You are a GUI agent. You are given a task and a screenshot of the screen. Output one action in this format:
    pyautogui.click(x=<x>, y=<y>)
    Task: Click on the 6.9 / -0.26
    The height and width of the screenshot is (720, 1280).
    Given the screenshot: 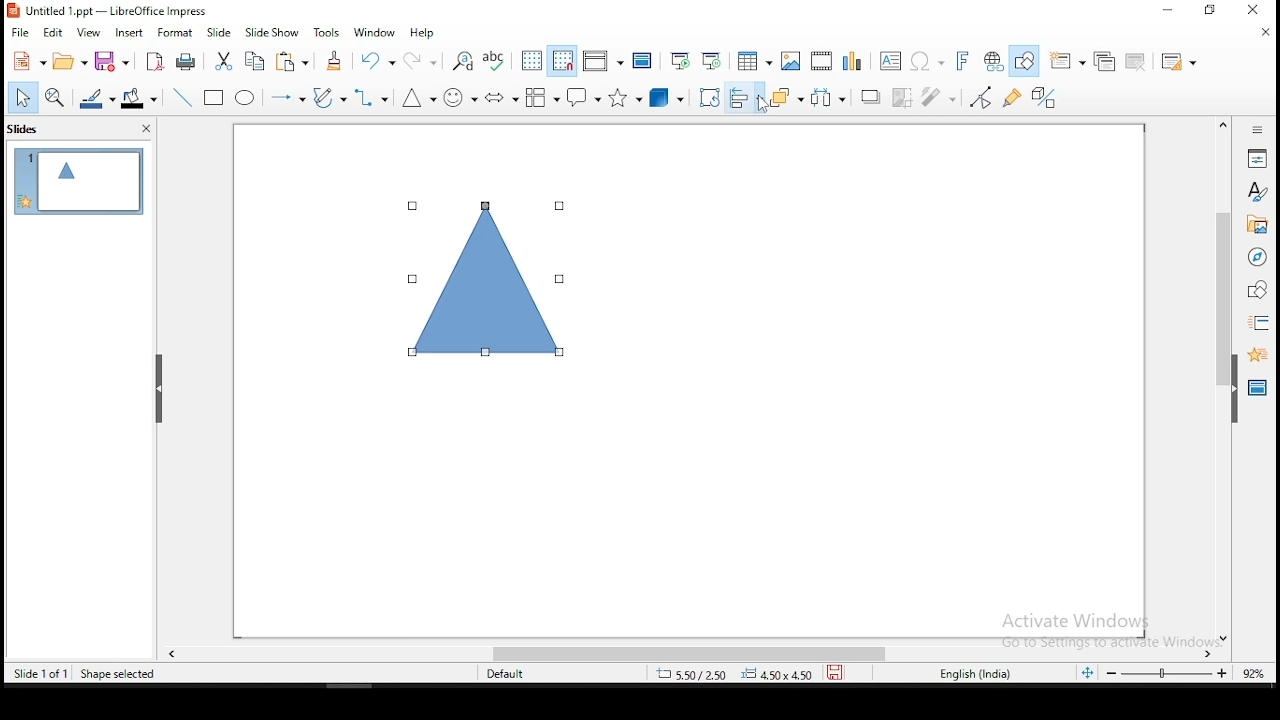 What is the action you would take?
    pyautogui.click(x=690, y=676)
    